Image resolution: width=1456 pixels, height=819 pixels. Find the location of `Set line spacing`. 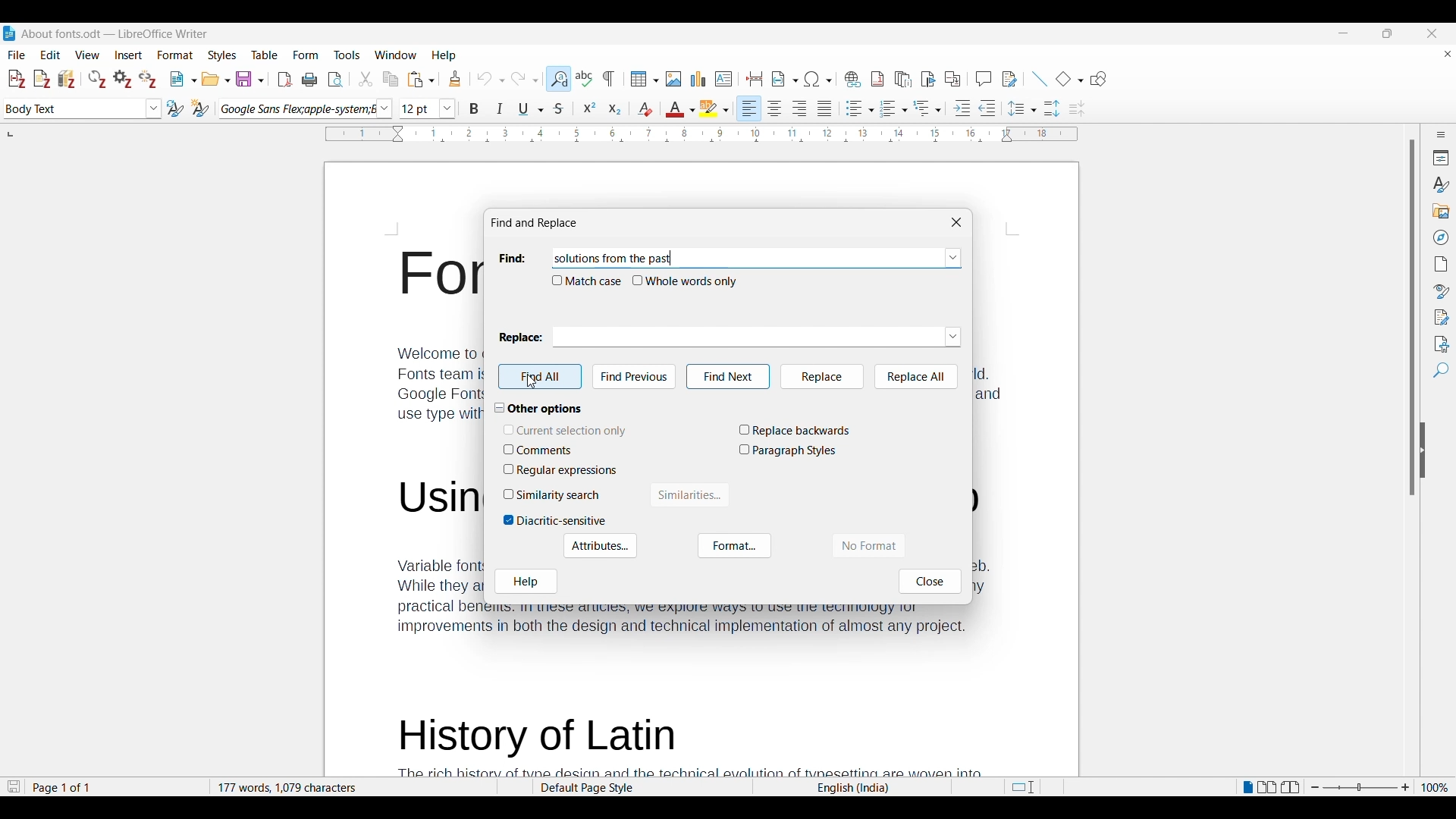

Set line spacing is located at coordinates (1022, 108).